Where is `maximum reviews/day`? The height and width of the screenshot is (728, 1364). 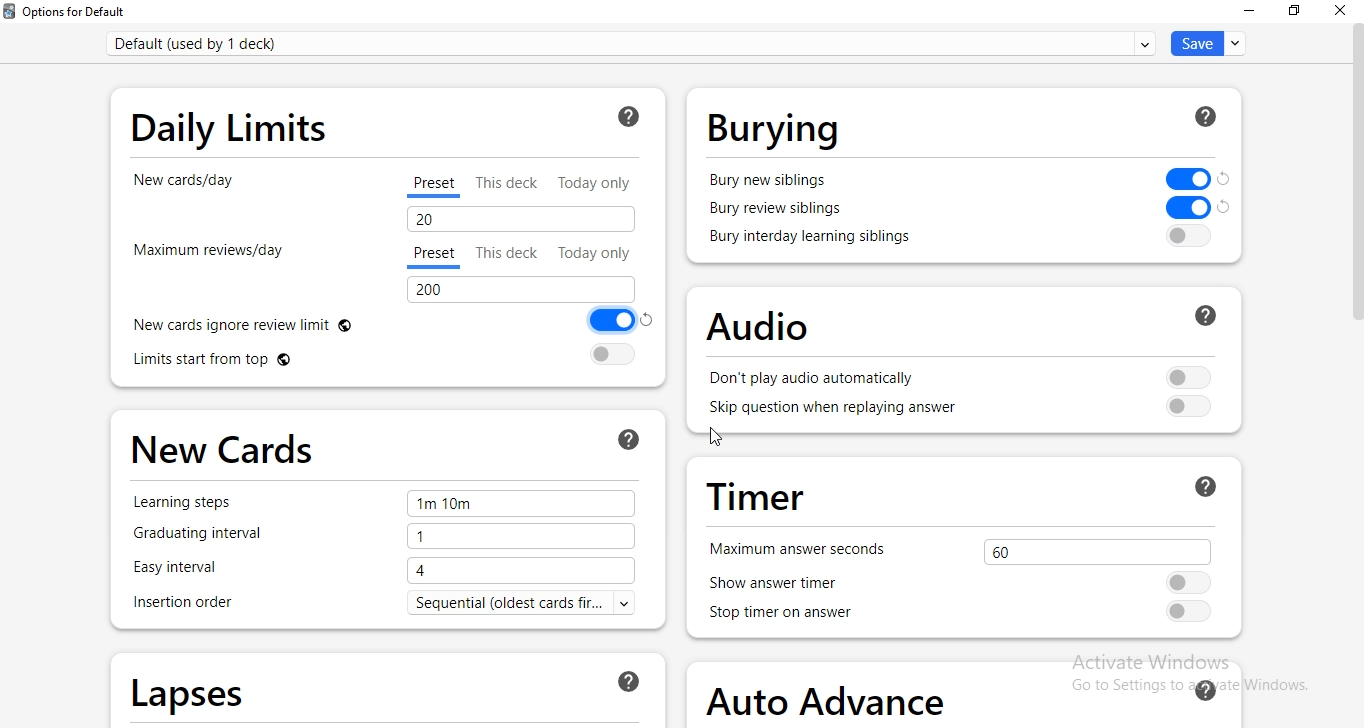
maximum reviews/day is located at coordinates (206, 259).